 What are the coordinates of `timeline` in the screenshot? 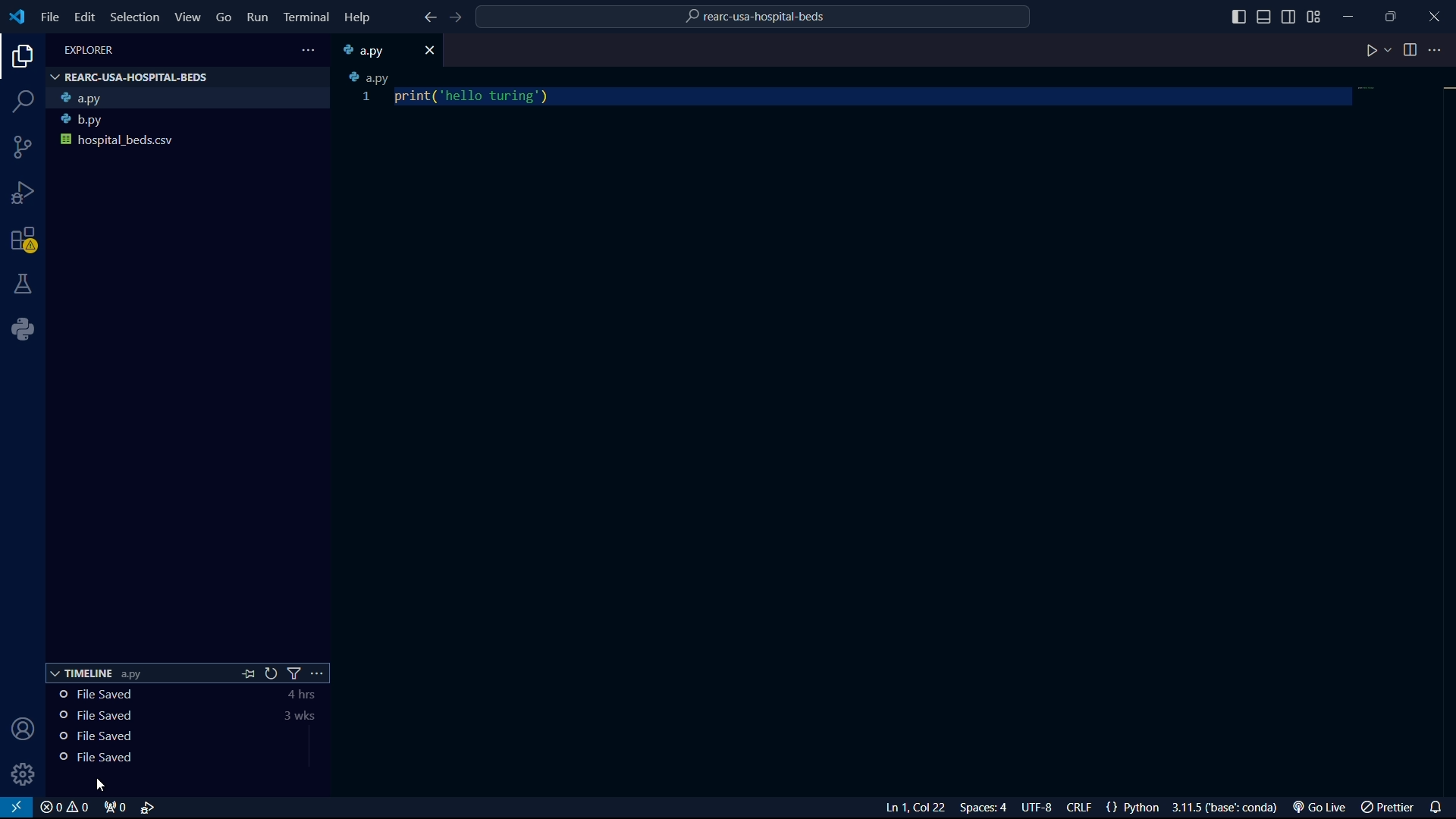 It's located at (158, 738).